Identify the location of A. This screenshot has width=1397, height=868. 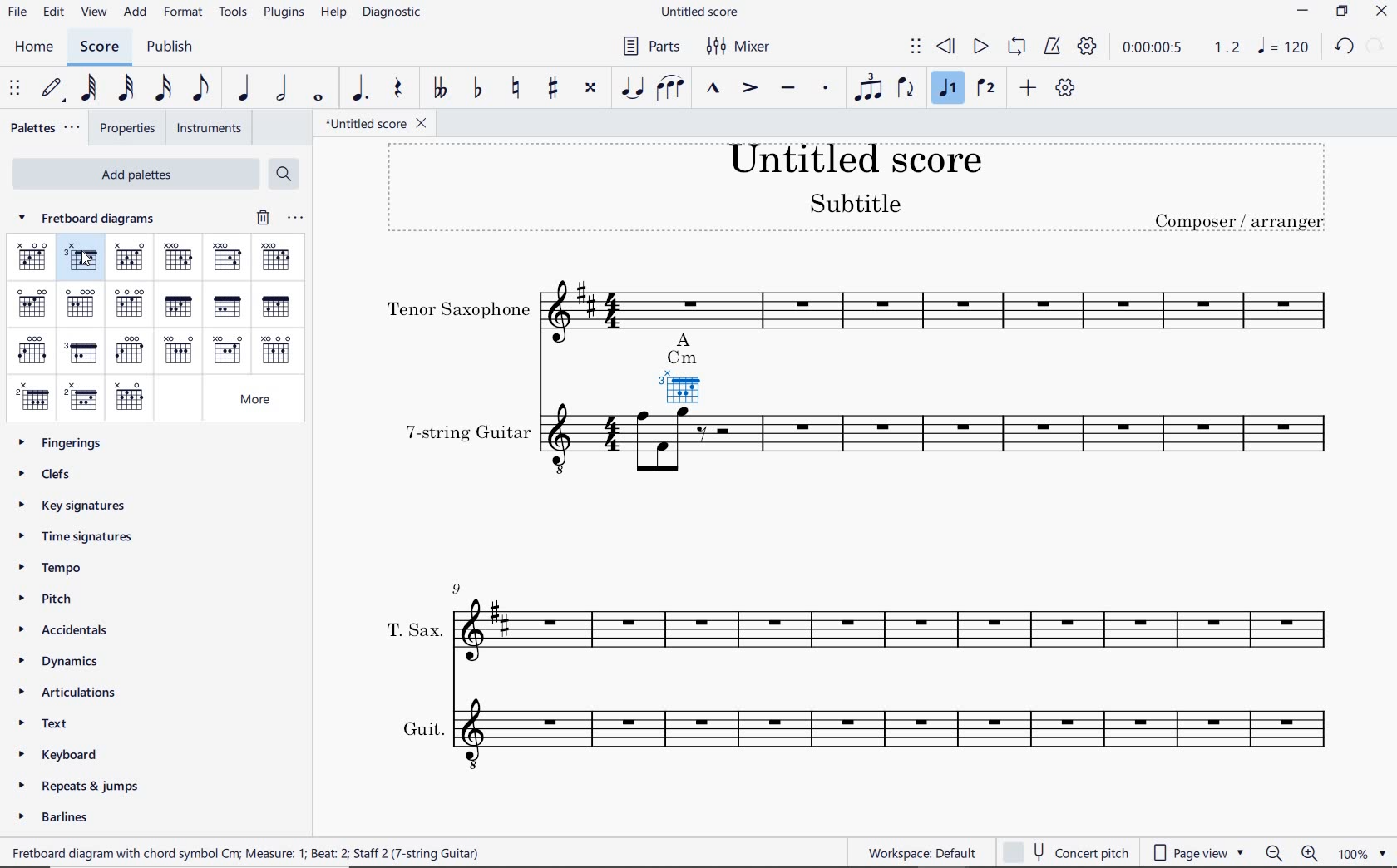
(177, 352).